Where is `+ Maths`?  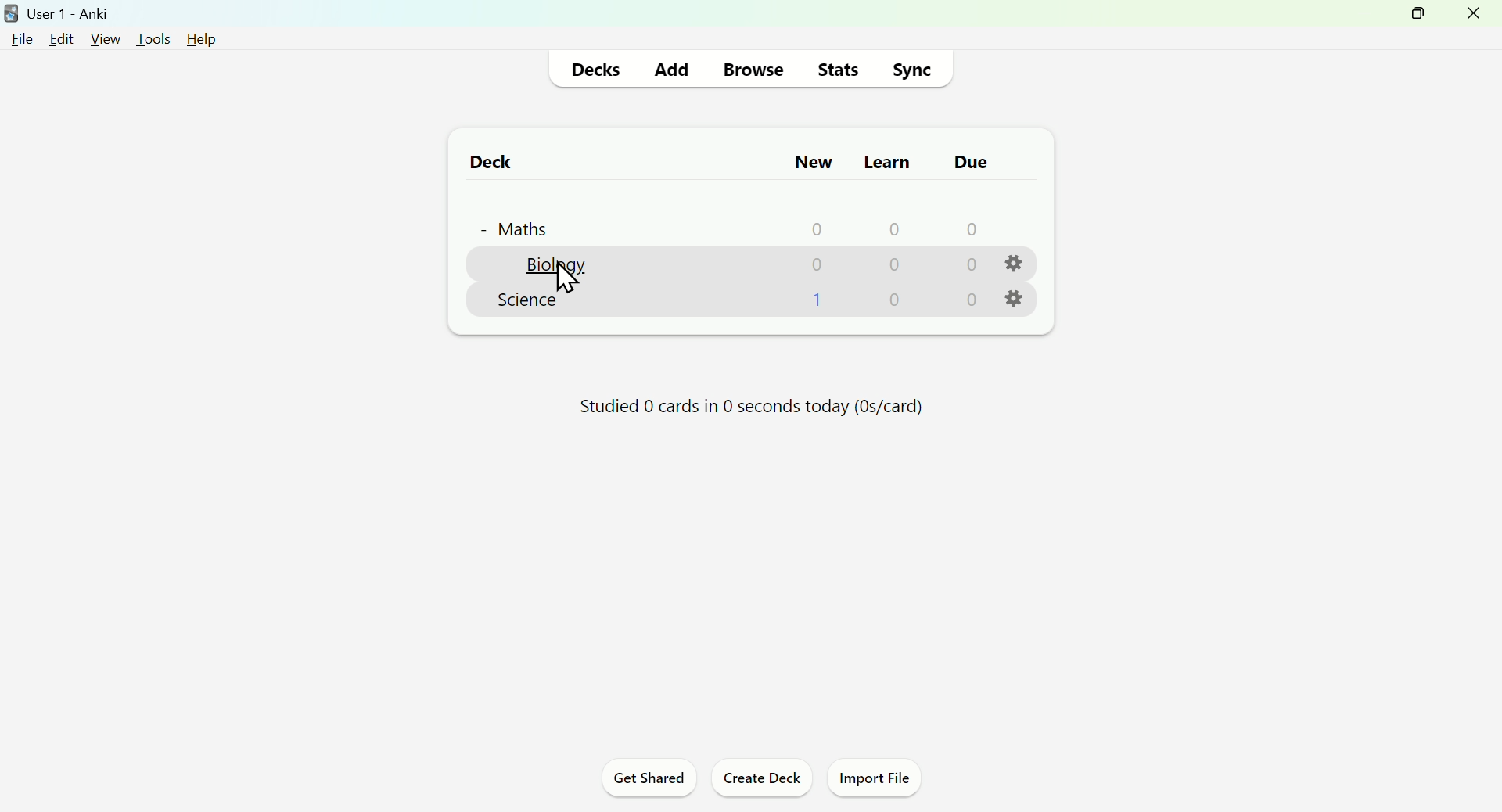 + Maths is located at coordinates (524, 228).